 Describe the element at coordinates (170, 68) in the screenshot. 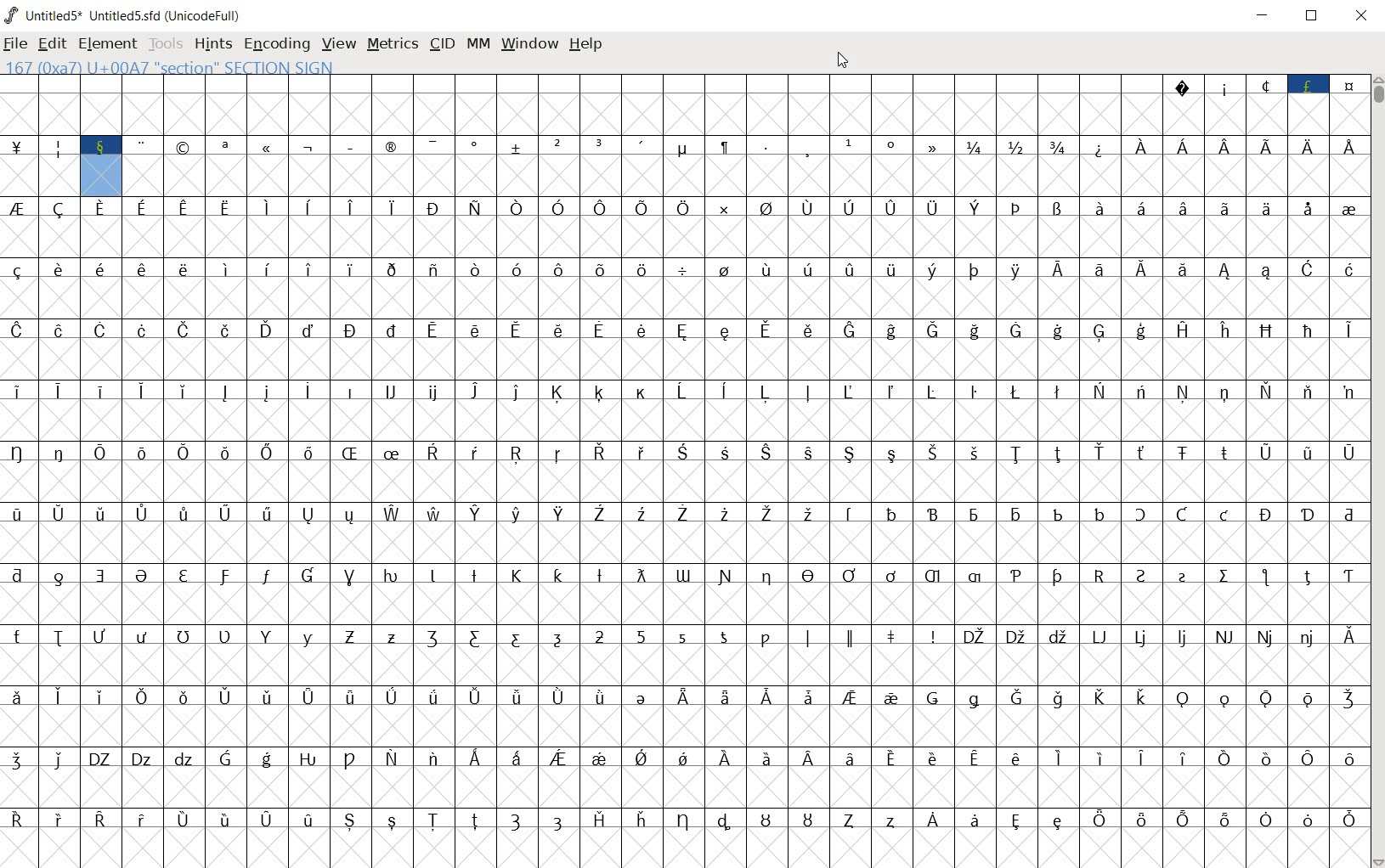

I see `(0Xa7) U+00A7 "SECTION" SECTION SIGN` at that location.